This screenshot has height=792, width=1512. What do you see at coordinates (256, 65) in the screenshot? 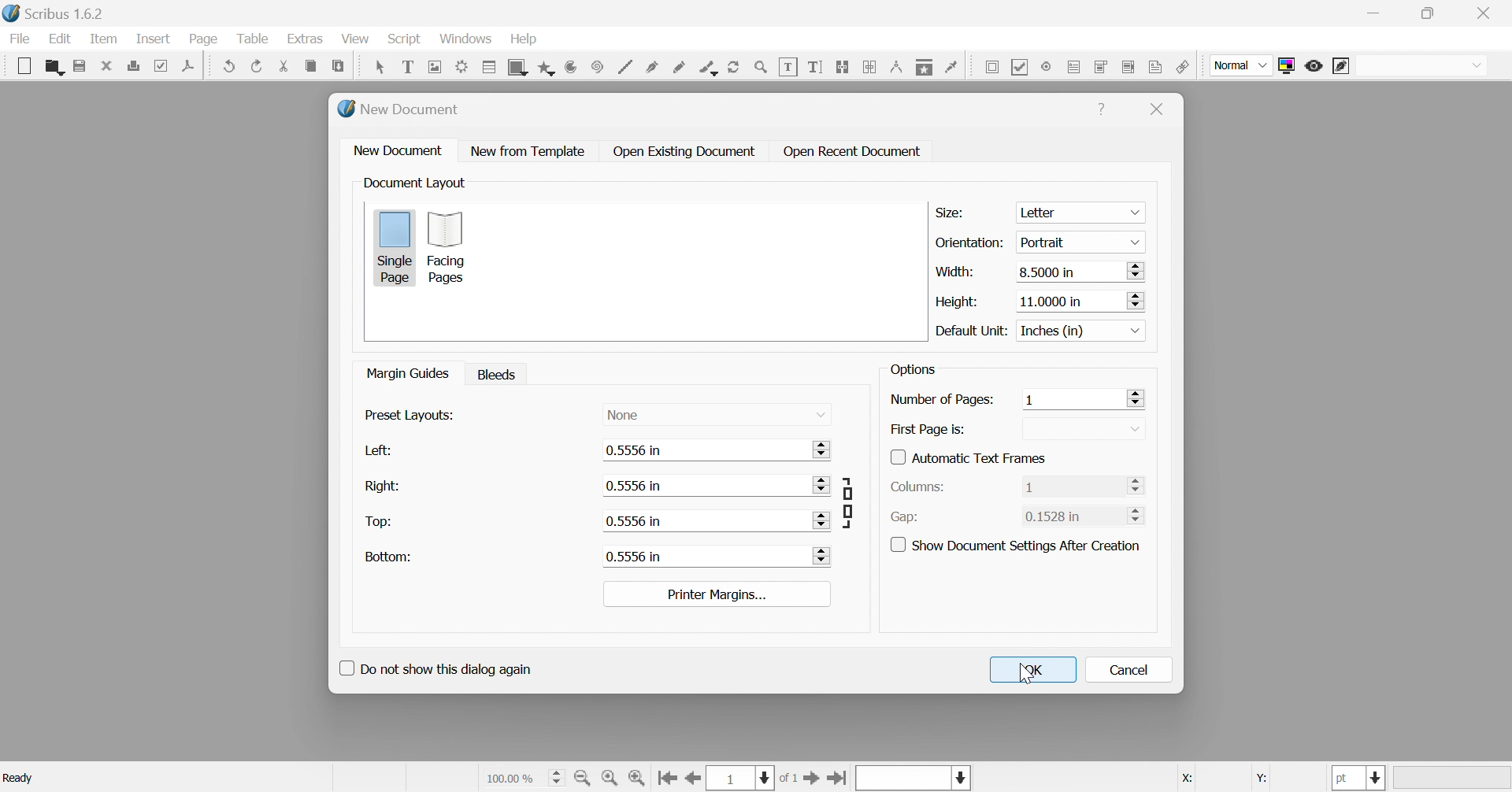
I see `redo` at bounding box center [256, 65].